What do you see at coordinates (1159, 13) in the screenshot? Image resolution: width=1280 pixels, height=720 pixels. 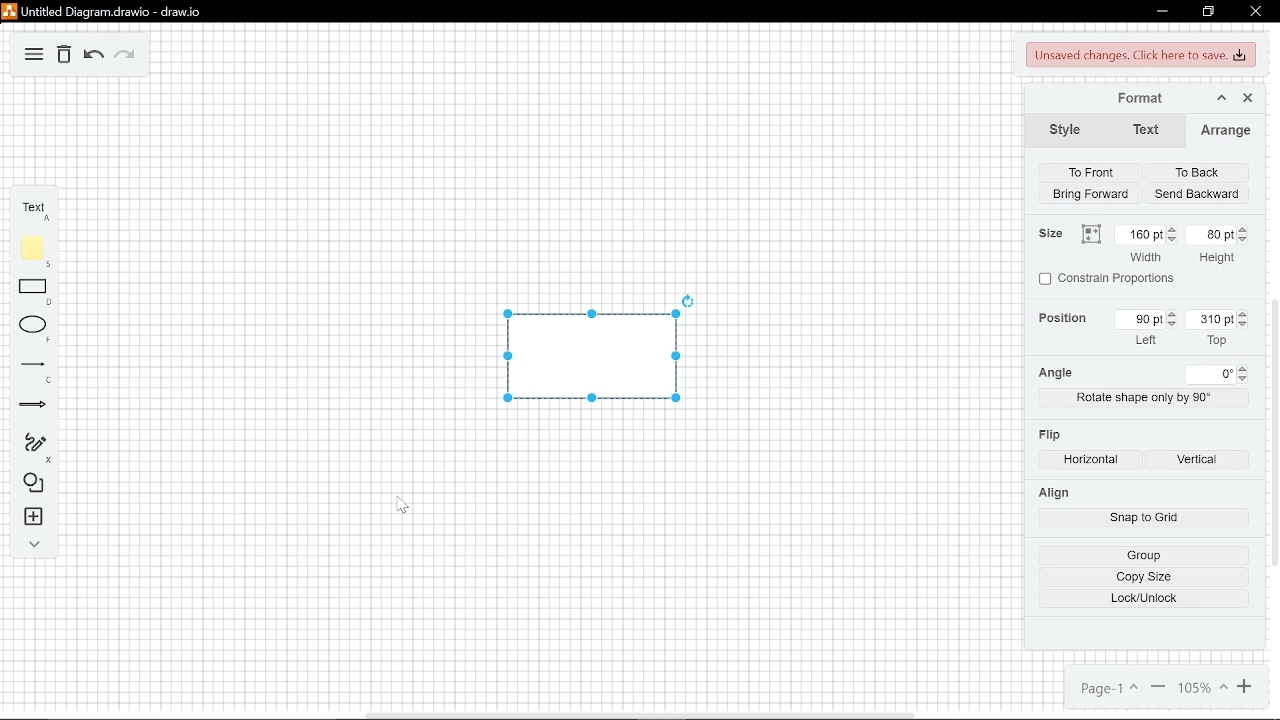 I see `minimize` at bounding box center [1159, 13].